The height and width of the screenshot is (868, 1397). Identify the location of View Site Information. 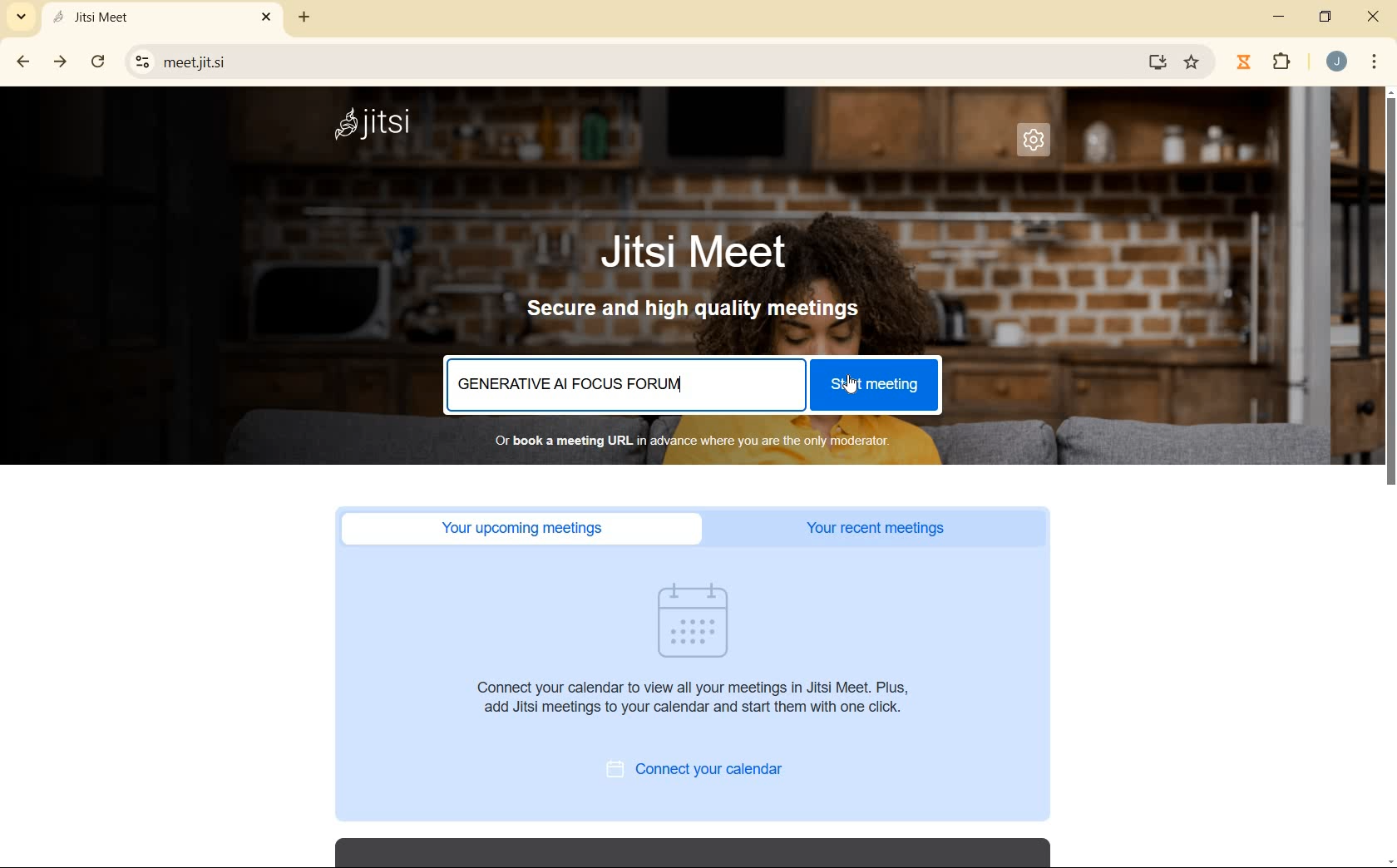
(143, 62).